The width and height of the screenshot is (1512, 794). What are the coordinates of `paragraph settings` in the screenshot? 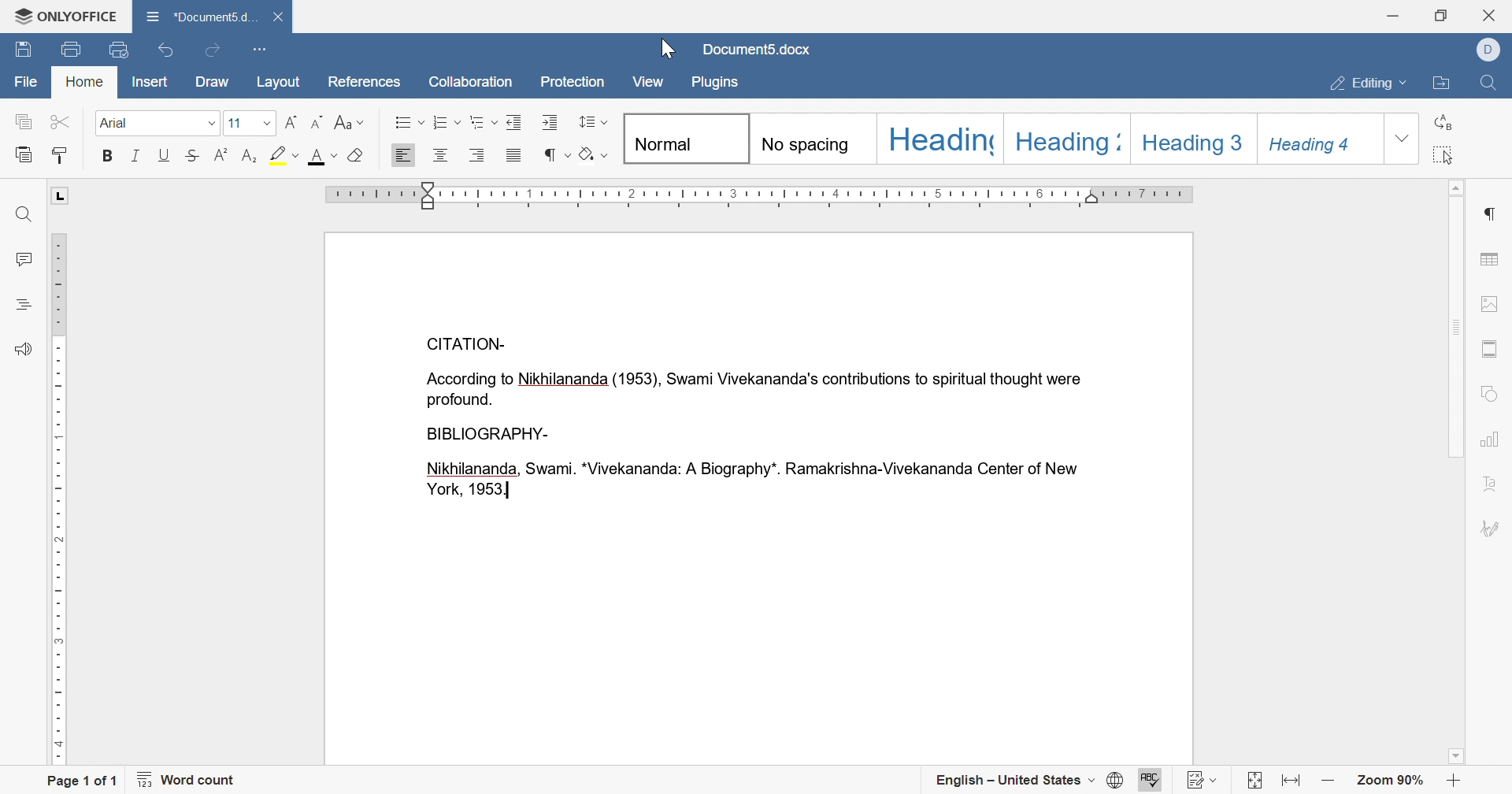 It's located at (1489, 217).